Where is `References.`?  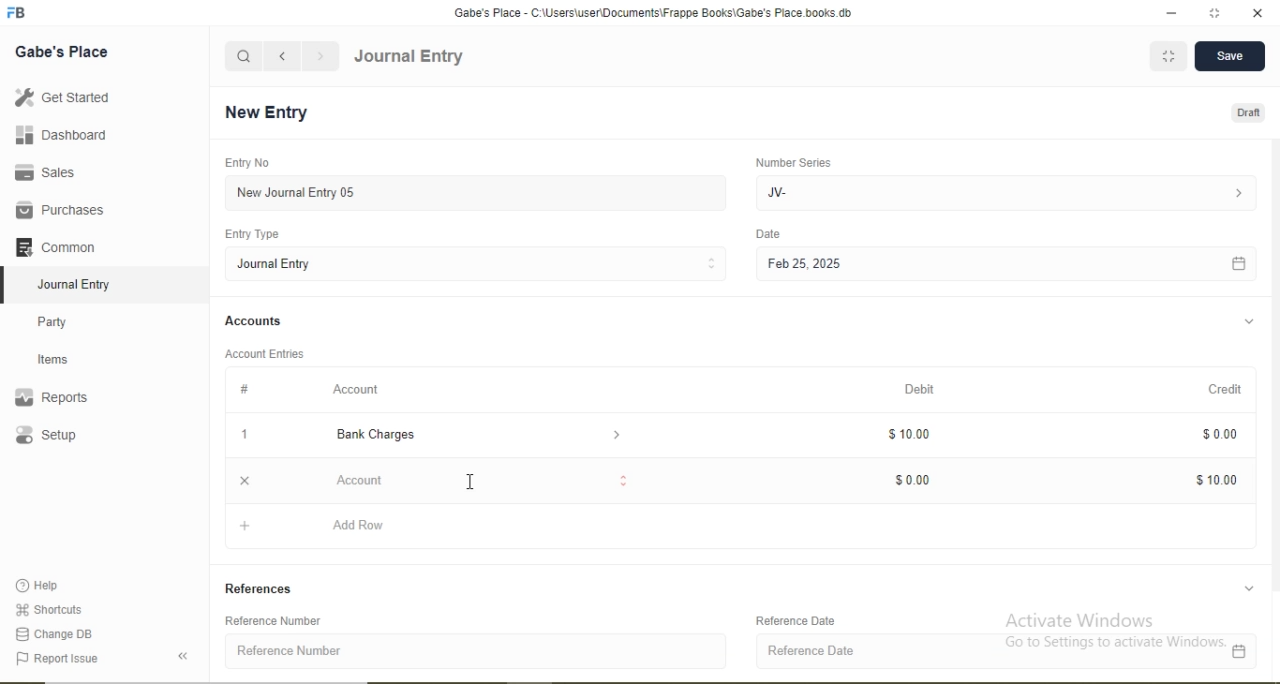
References. is located at coordinates (262, 588).